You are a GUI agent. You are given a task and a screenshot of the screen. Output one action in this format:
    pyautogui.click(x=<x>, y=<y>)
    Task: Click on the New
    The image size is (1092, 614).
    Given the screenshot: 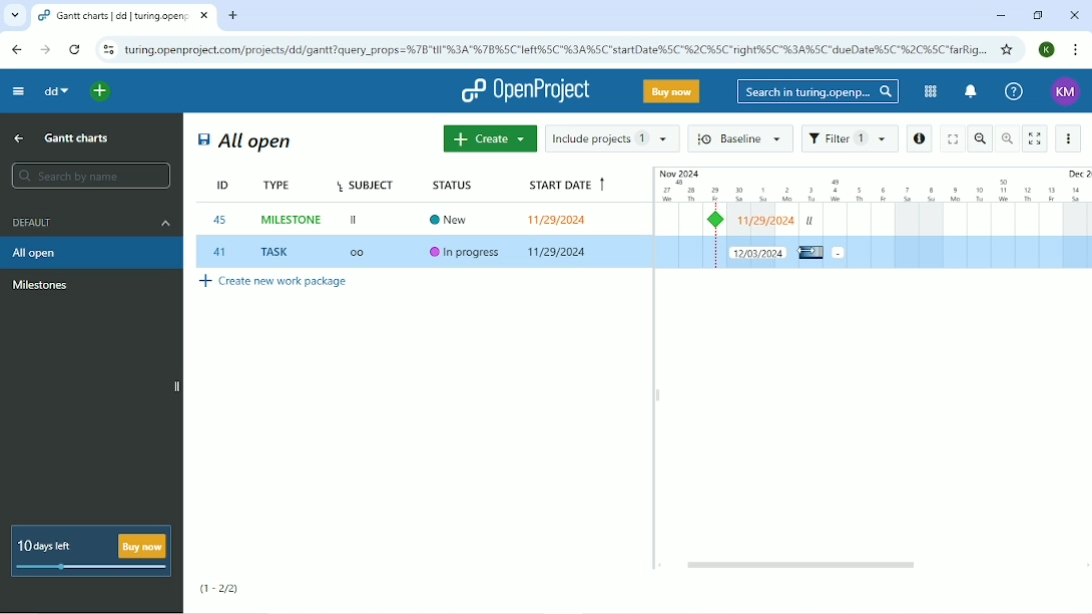 What is the action you would take?
    pyautogui.click(x=454, y=218)
    